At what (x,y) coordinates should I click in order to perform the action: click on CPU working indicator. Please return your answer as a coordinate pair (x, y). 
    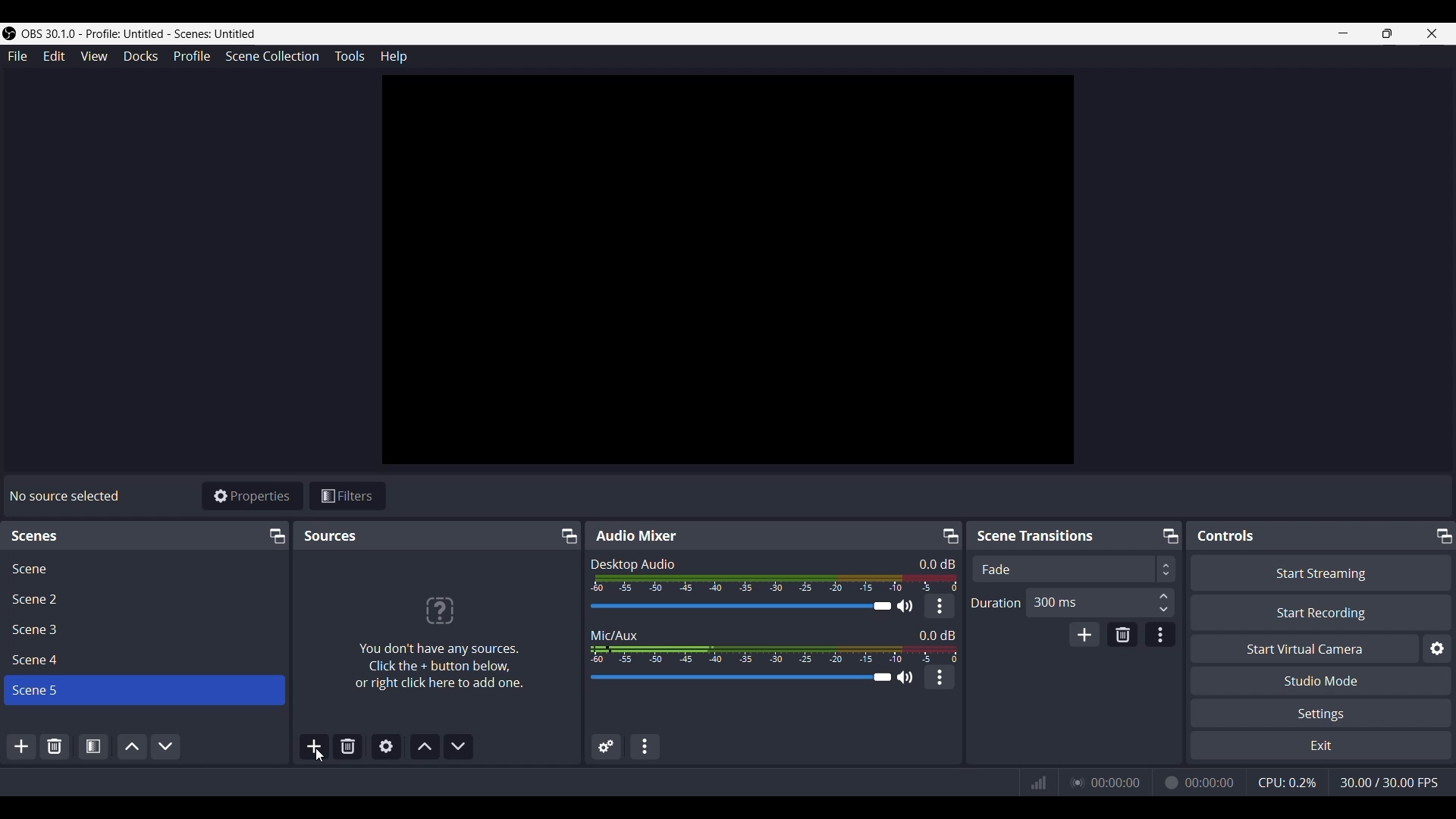
    Looking at the image, I should click on (1287, 782).